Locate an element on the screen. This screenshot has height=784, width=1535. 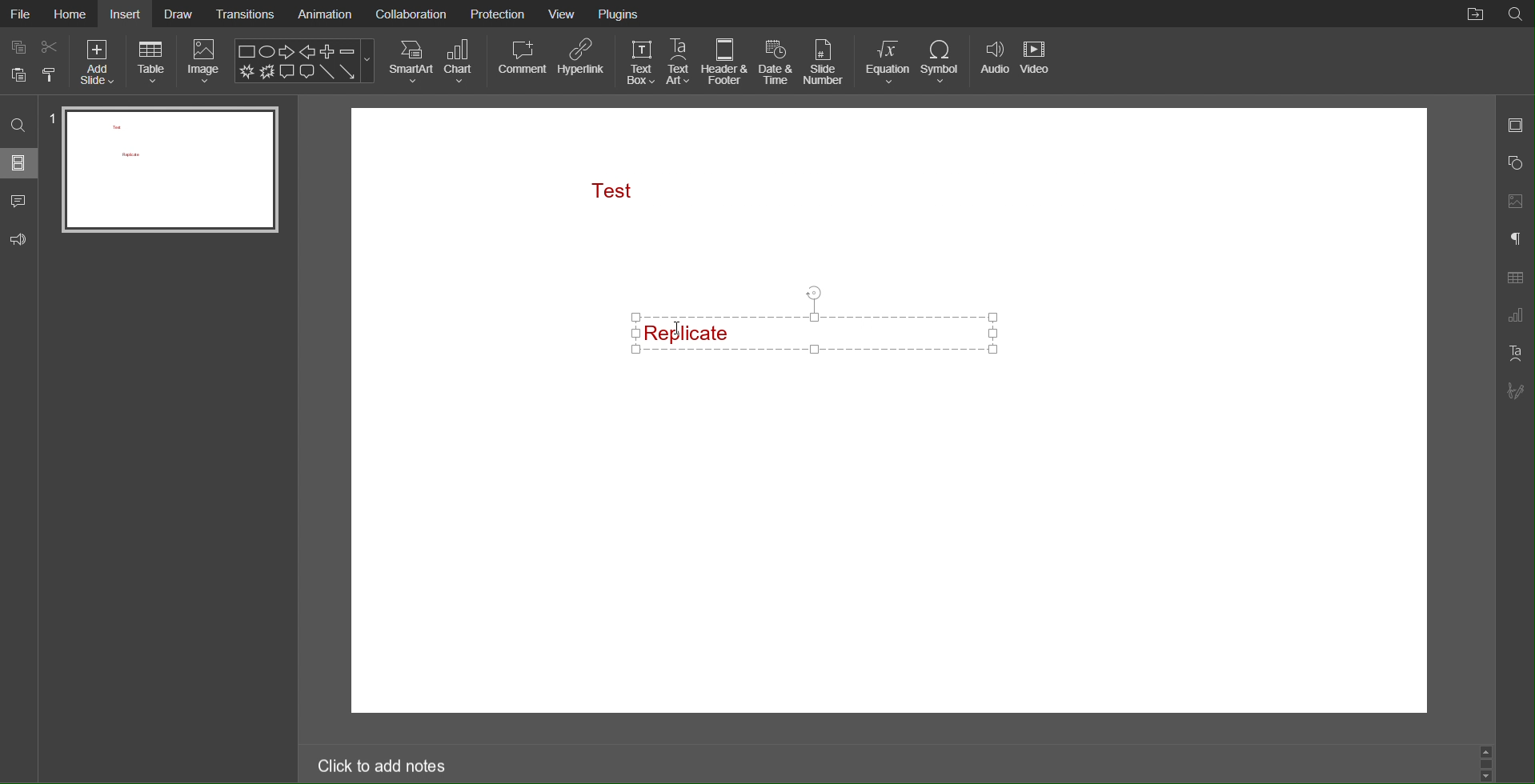
Comment is located at coordinates (18, 202).